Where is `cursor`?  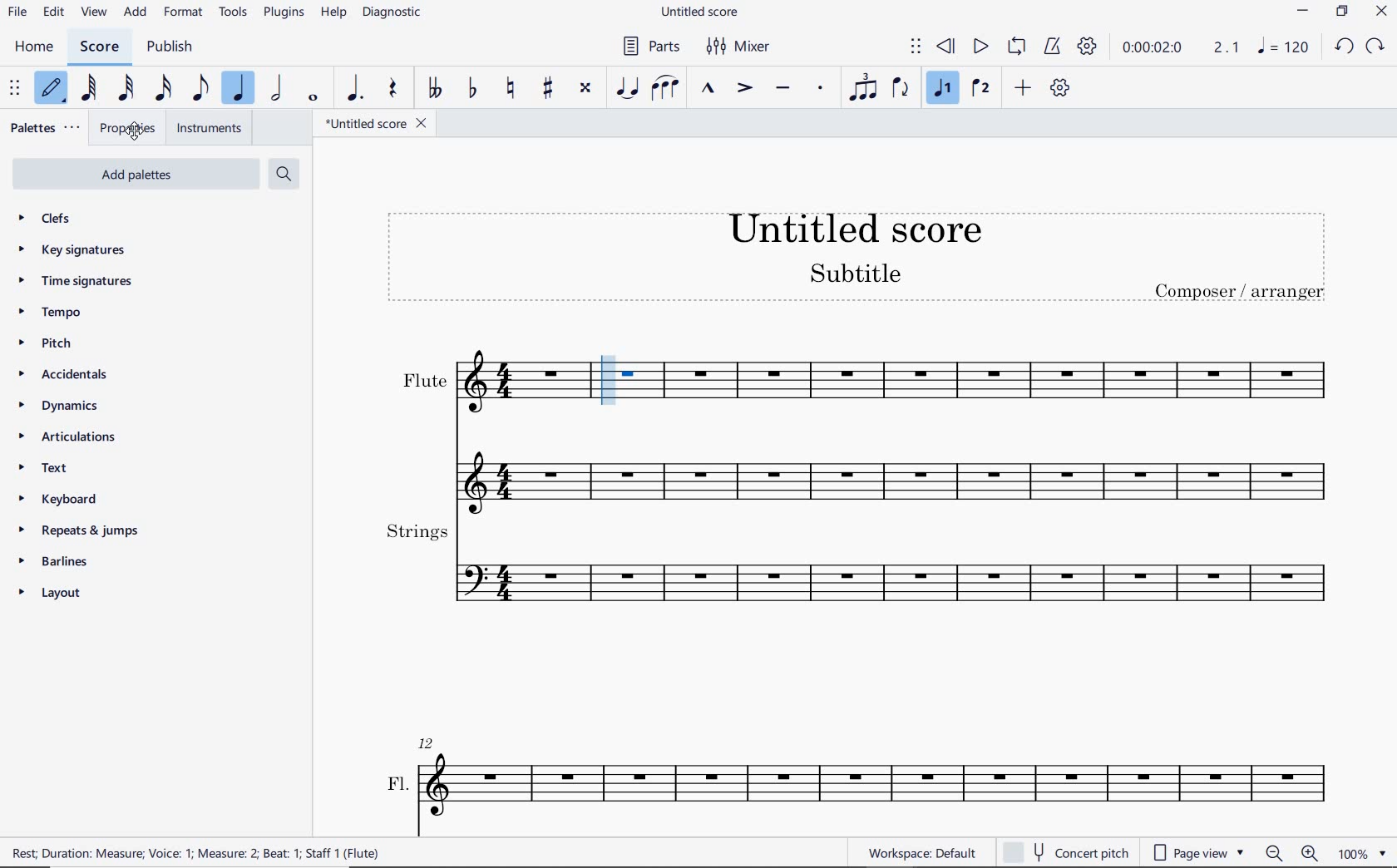 cursor is located at coordinates (137, 133).